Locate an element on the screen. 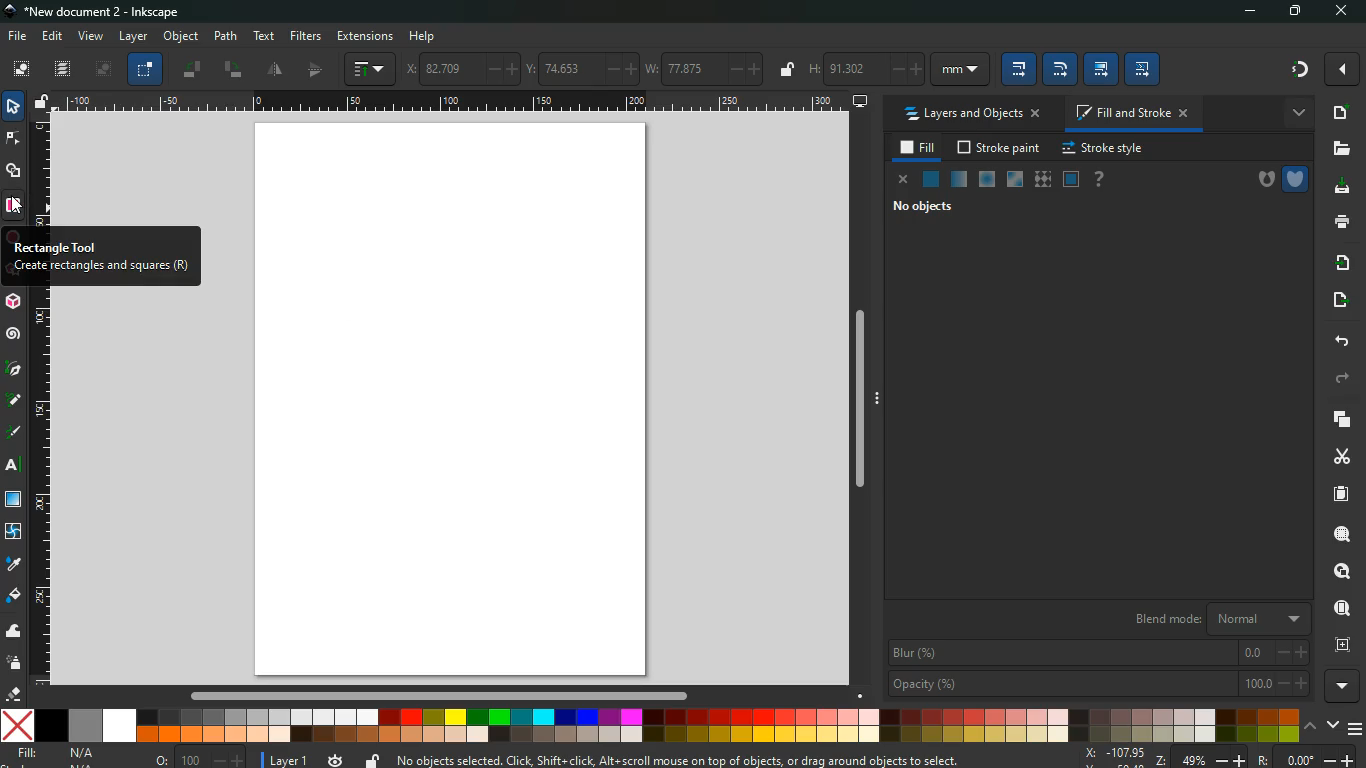 The image size is (1366, 768). window is located at coordinates (1014, 181).